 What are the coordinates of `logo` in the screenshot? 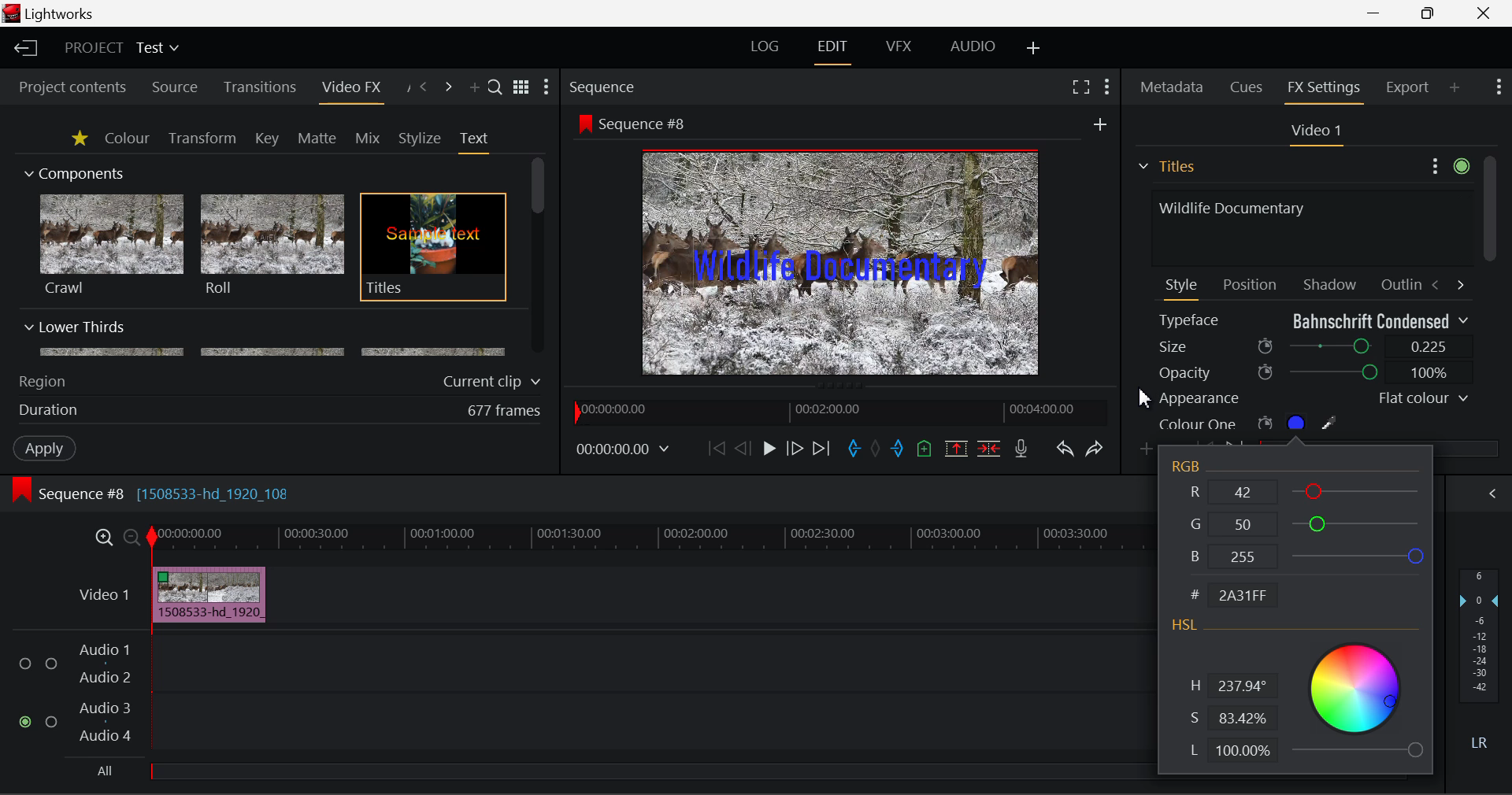 It's located at (13, 13).